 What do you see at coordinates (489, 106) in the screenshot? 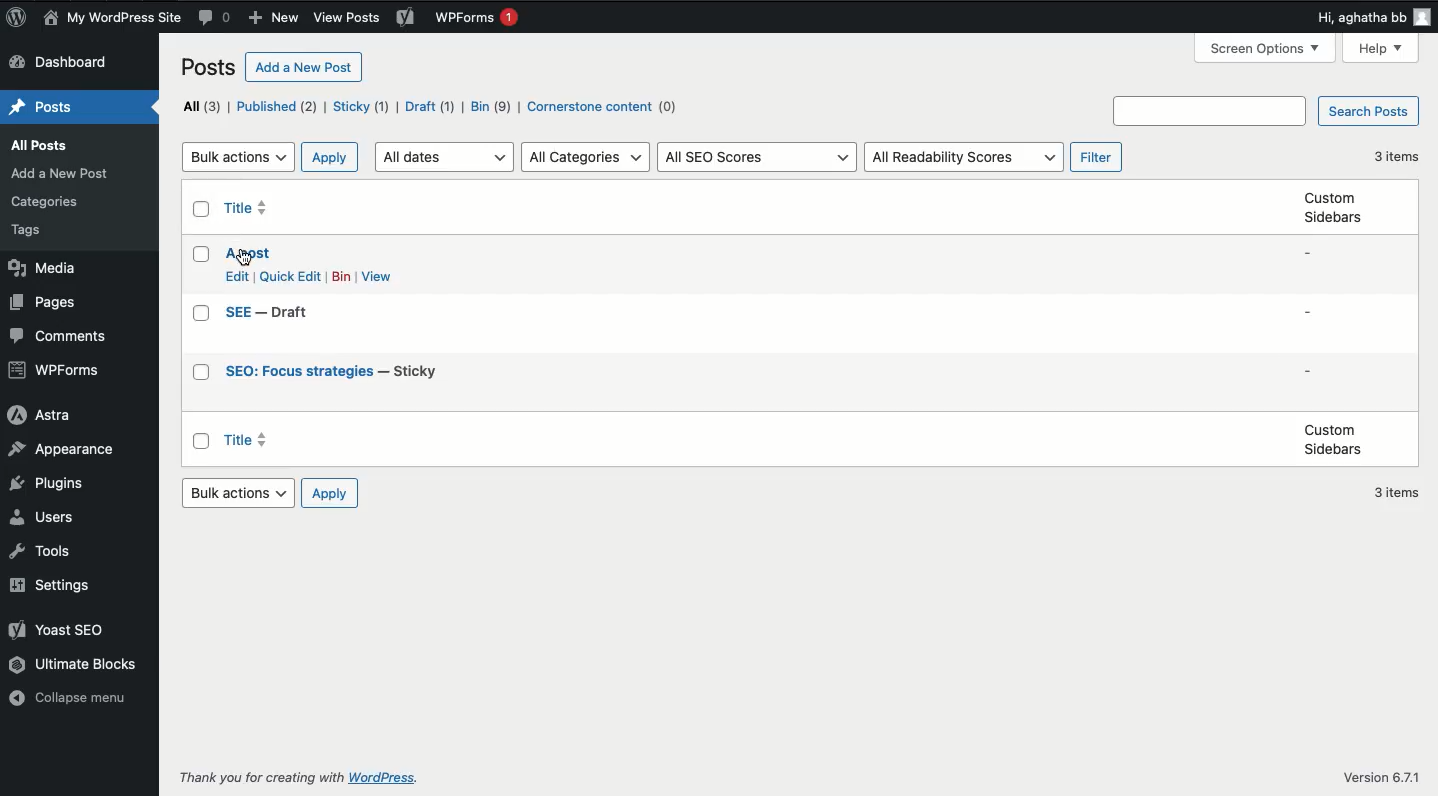
I see `Bin` at bounding box center [489, 106].